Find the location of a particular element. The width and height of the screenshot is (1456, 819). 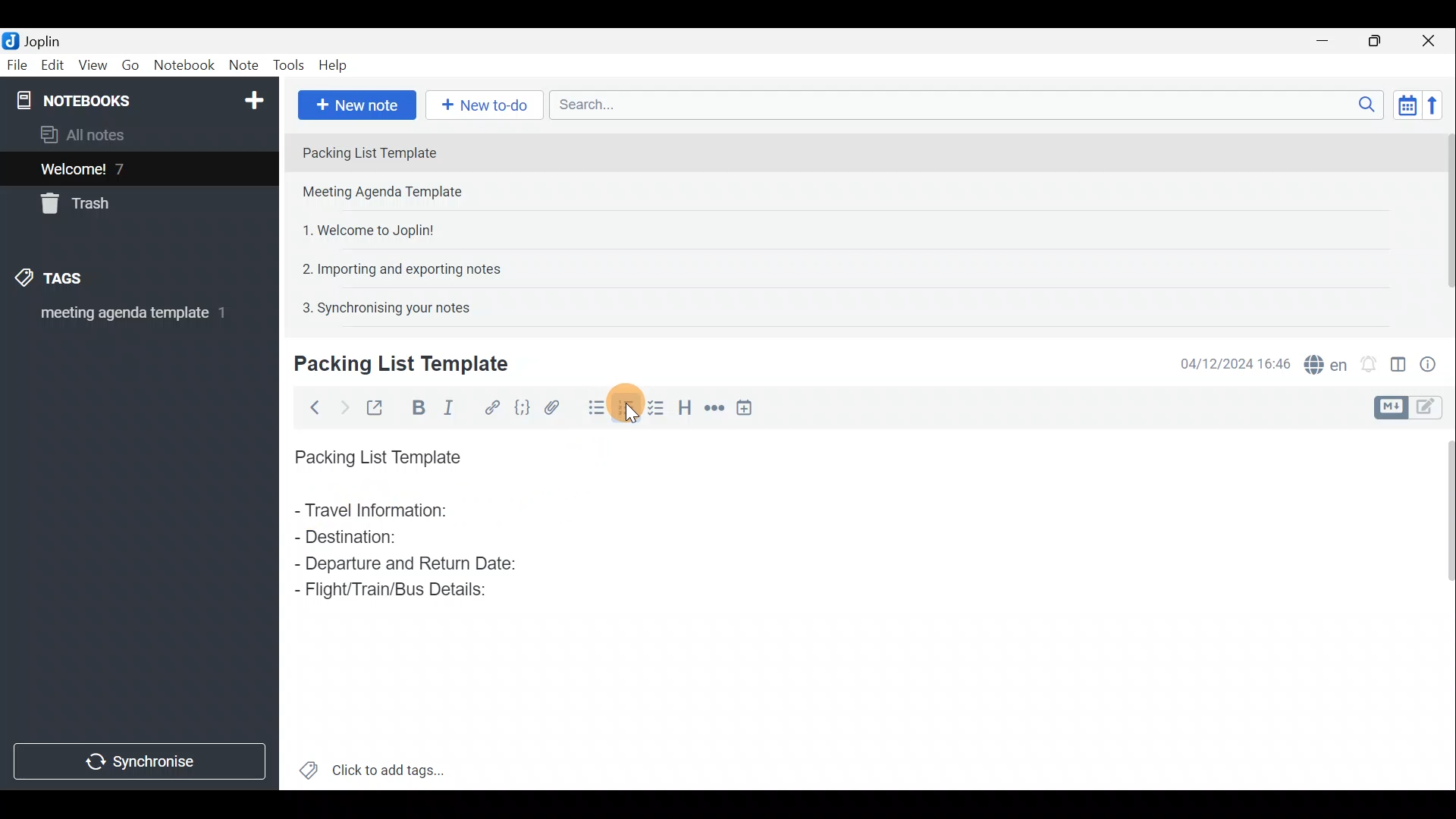

Code is located at coordinates (522, 406).